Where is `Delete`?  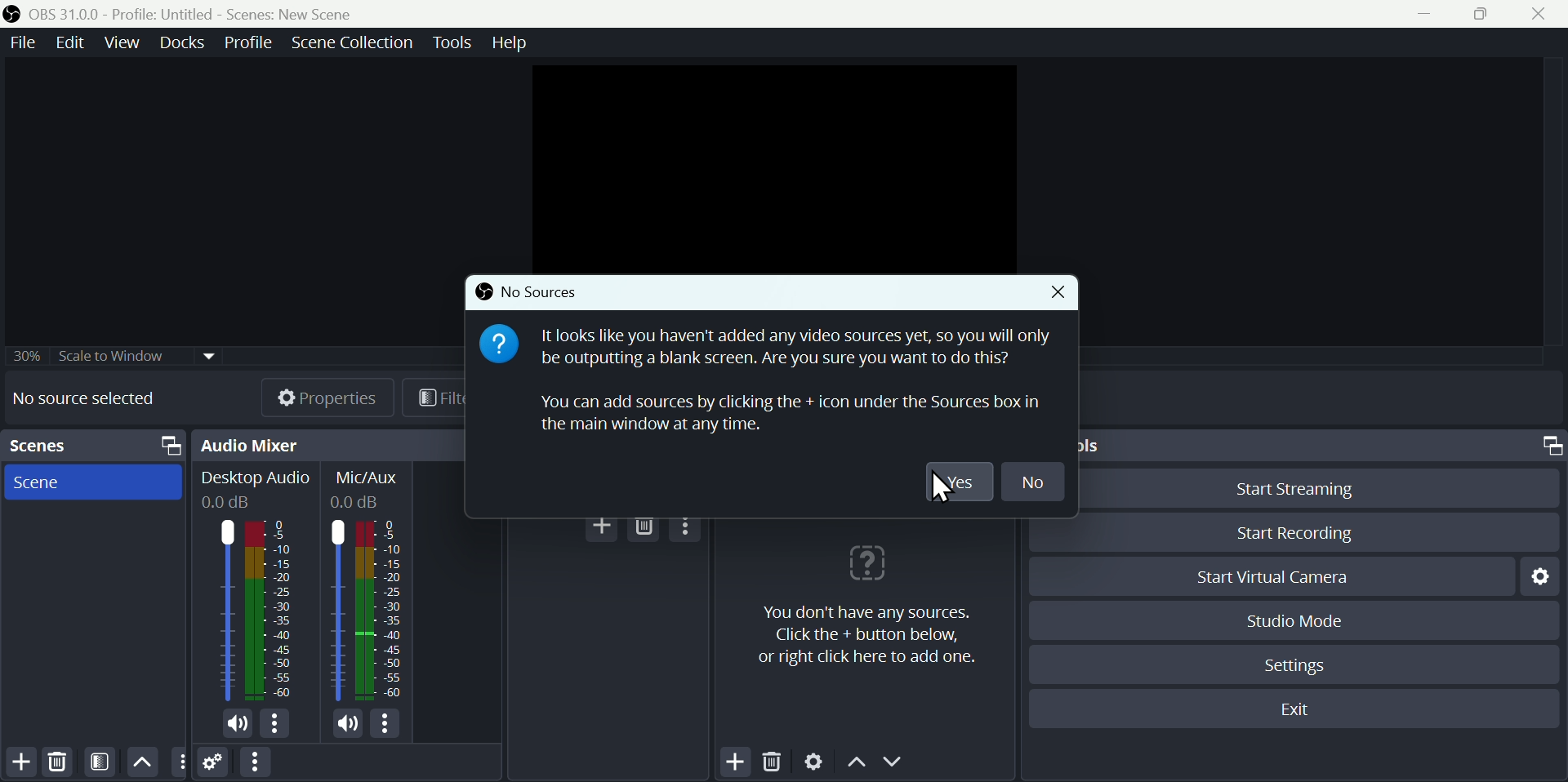
Delete is located at coordinates (646, 527).